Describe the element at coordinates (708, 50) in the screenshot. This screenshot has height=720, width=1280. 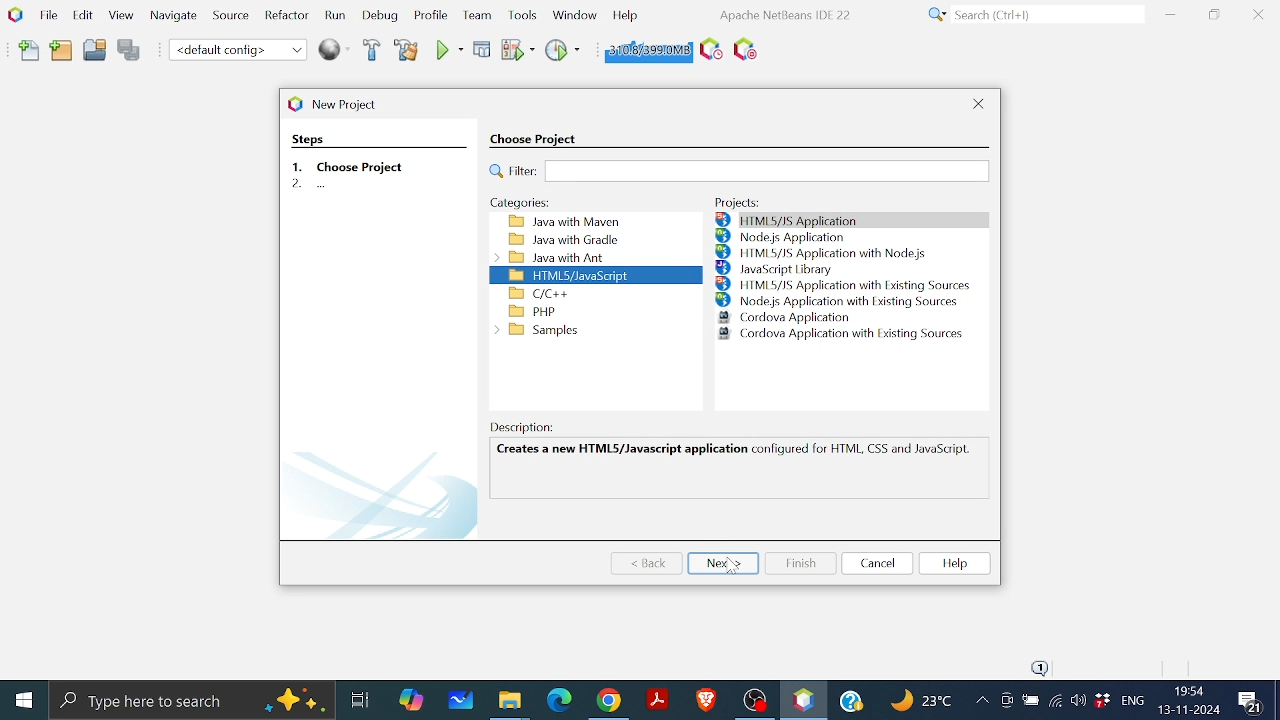
I see `Task Scheduling` at that location.